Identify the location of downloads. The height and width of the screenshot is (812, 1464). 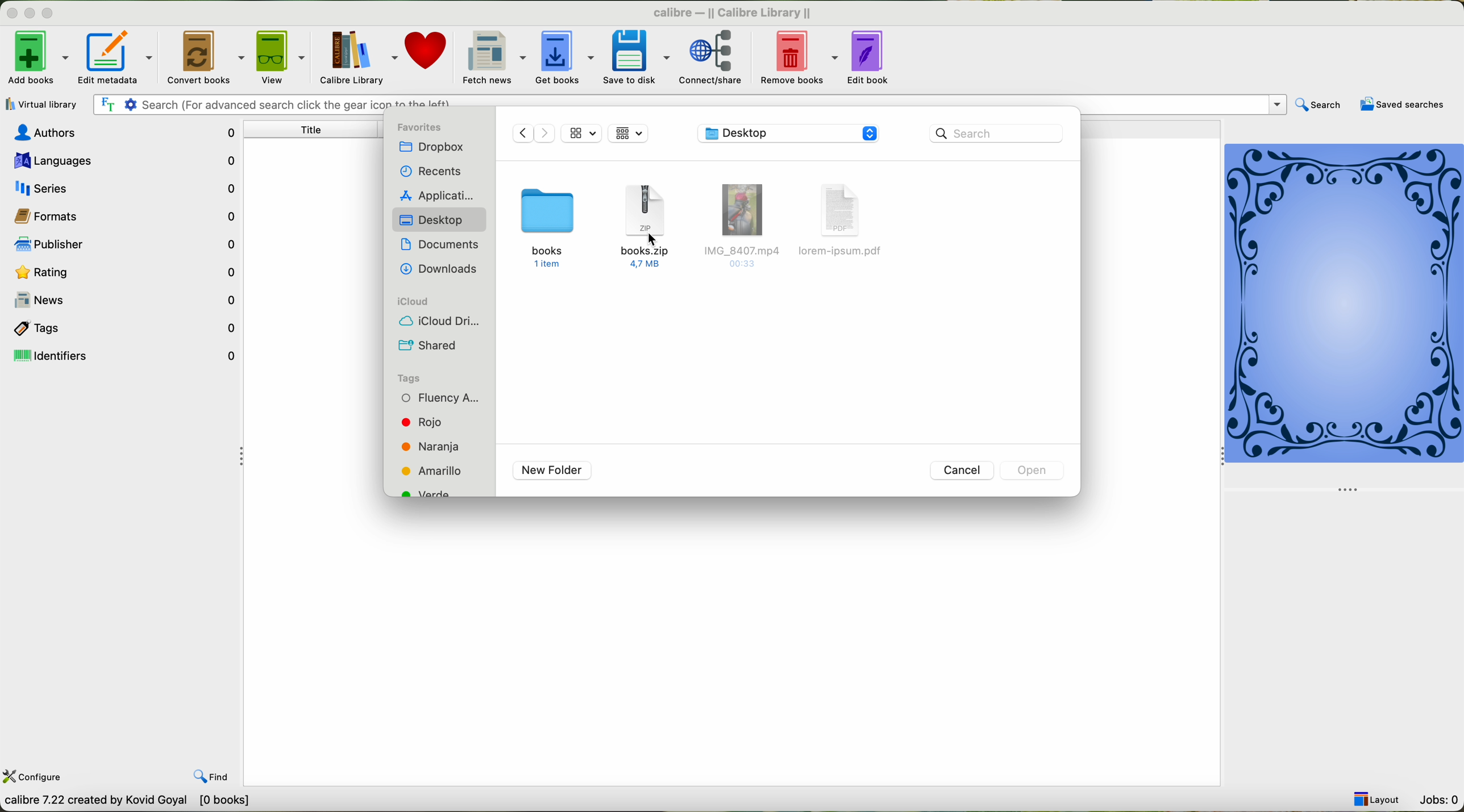
(439, 269).